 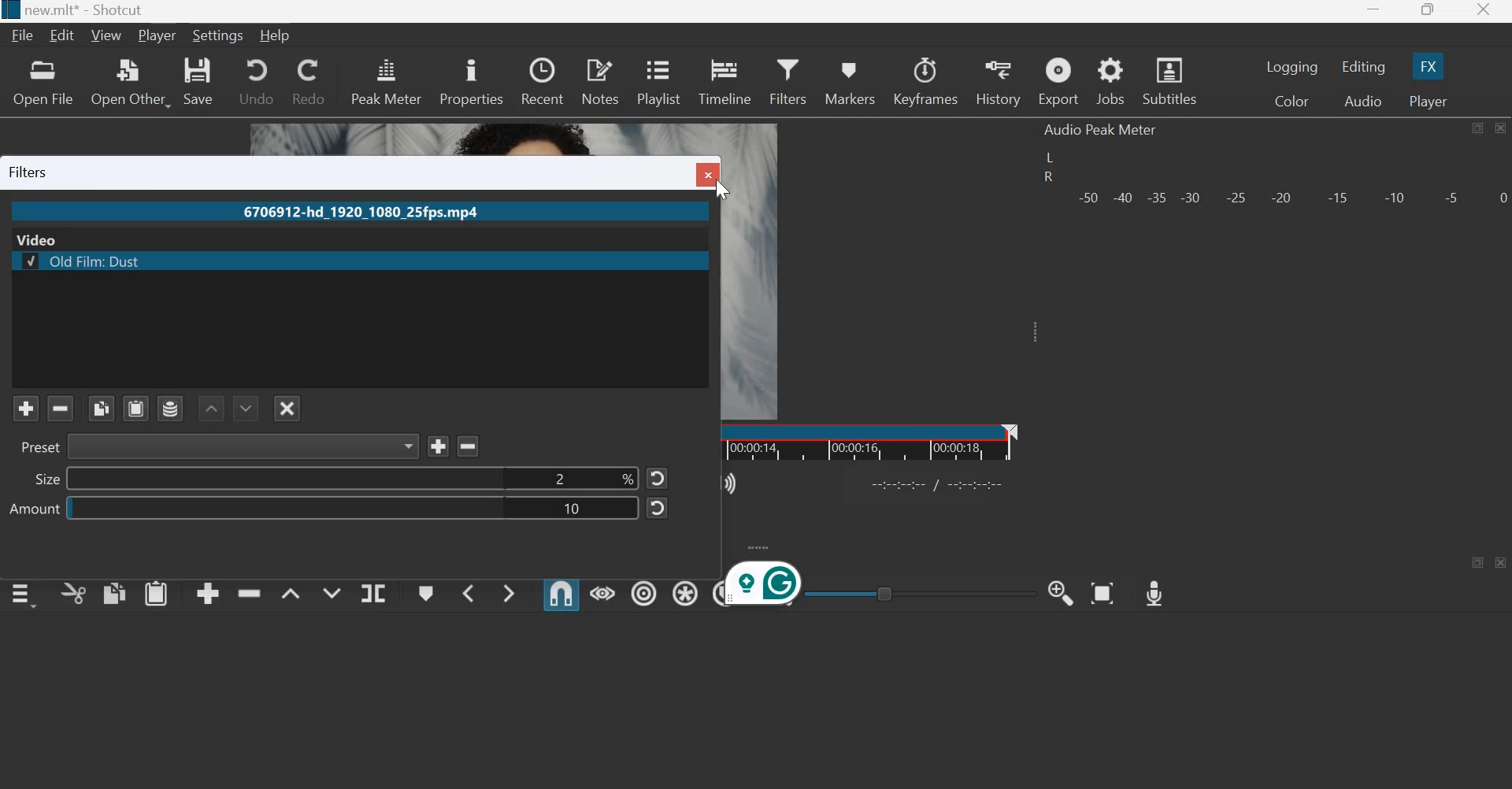 I want to click on Ripple Markers, so click(x=716, y=593).